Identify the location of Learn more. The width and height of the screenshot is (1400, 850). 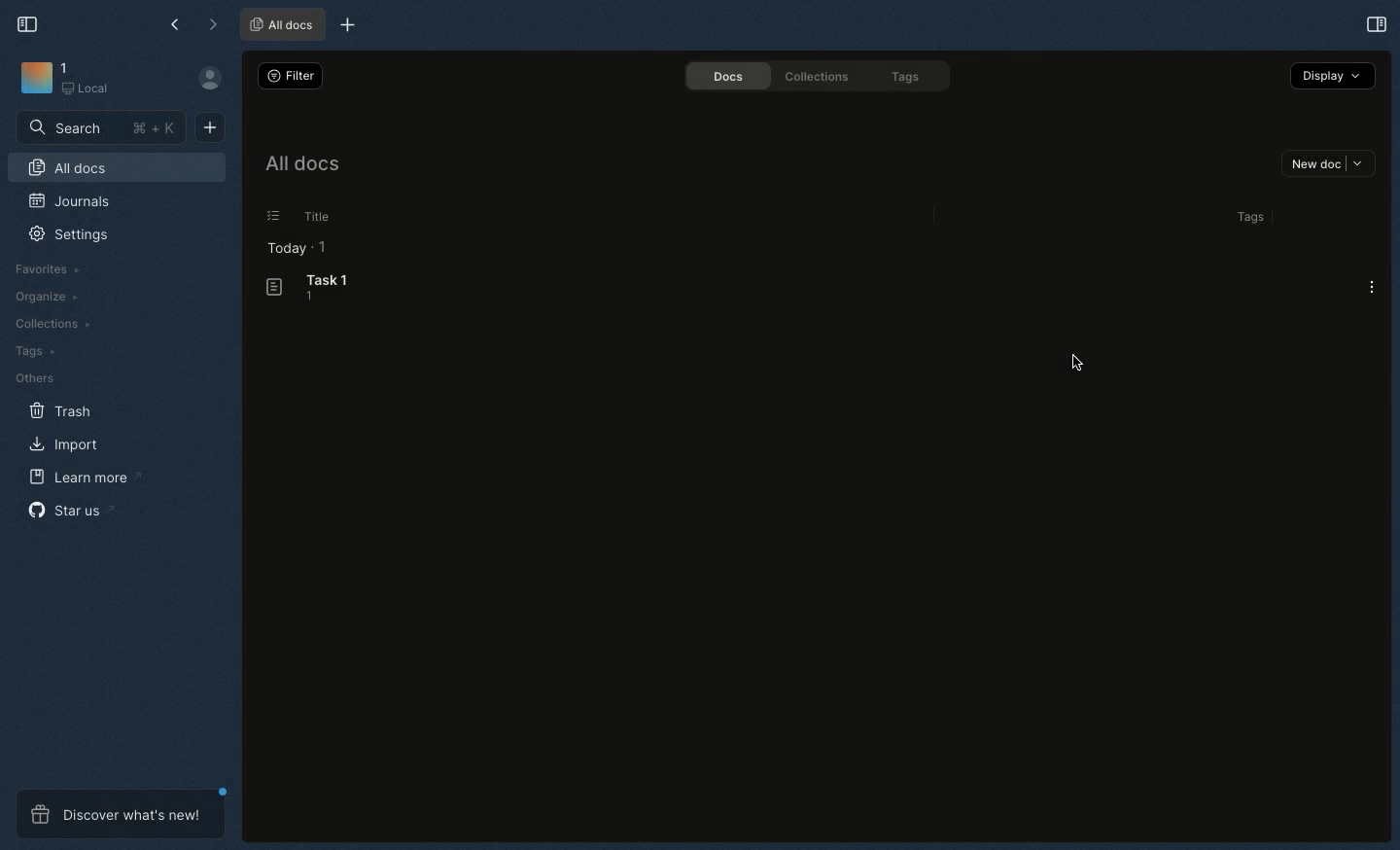
(82, 478).